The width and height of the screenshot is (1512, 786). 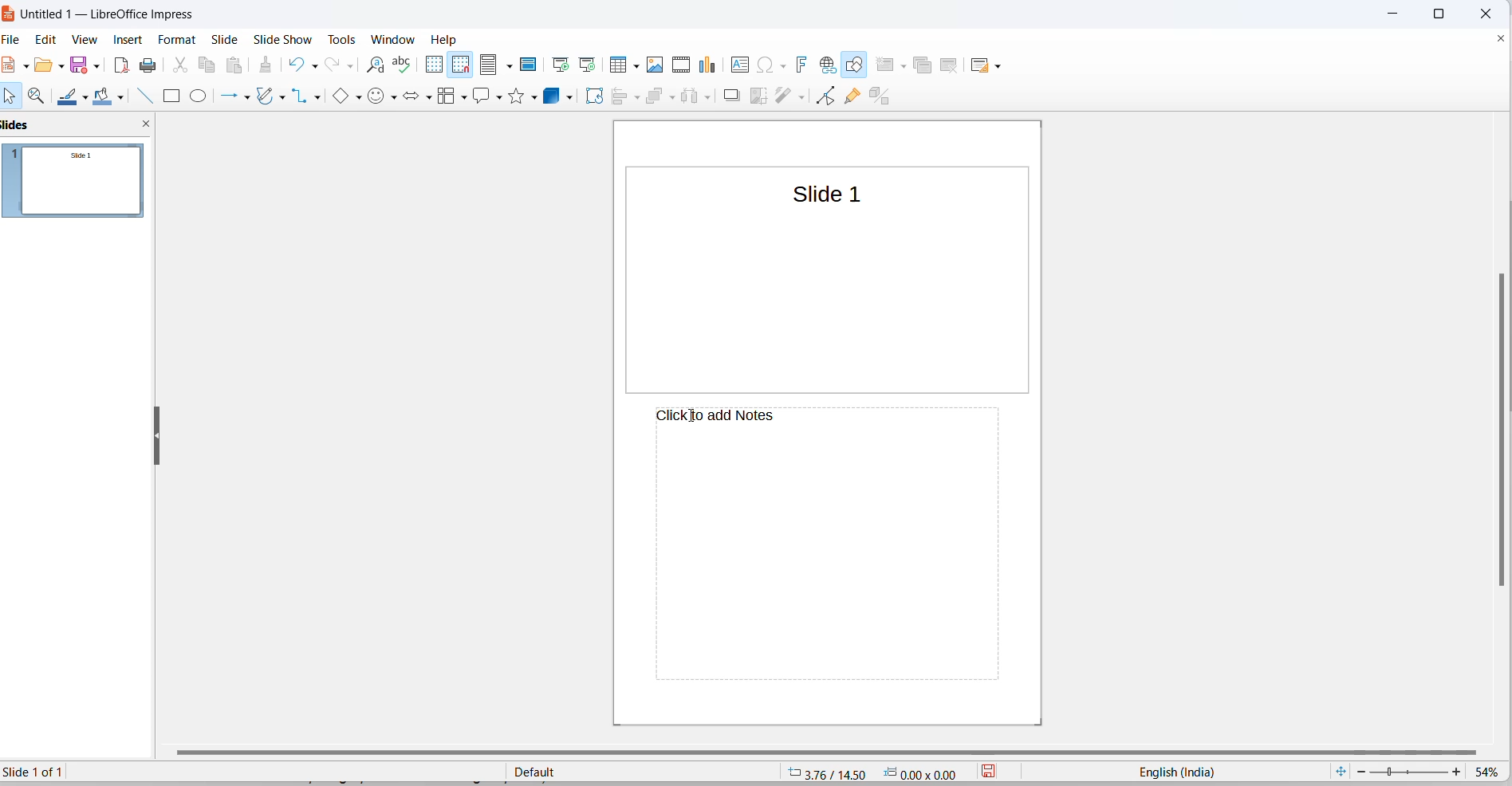 I want to click on spellings , so click(x=406, y=65).